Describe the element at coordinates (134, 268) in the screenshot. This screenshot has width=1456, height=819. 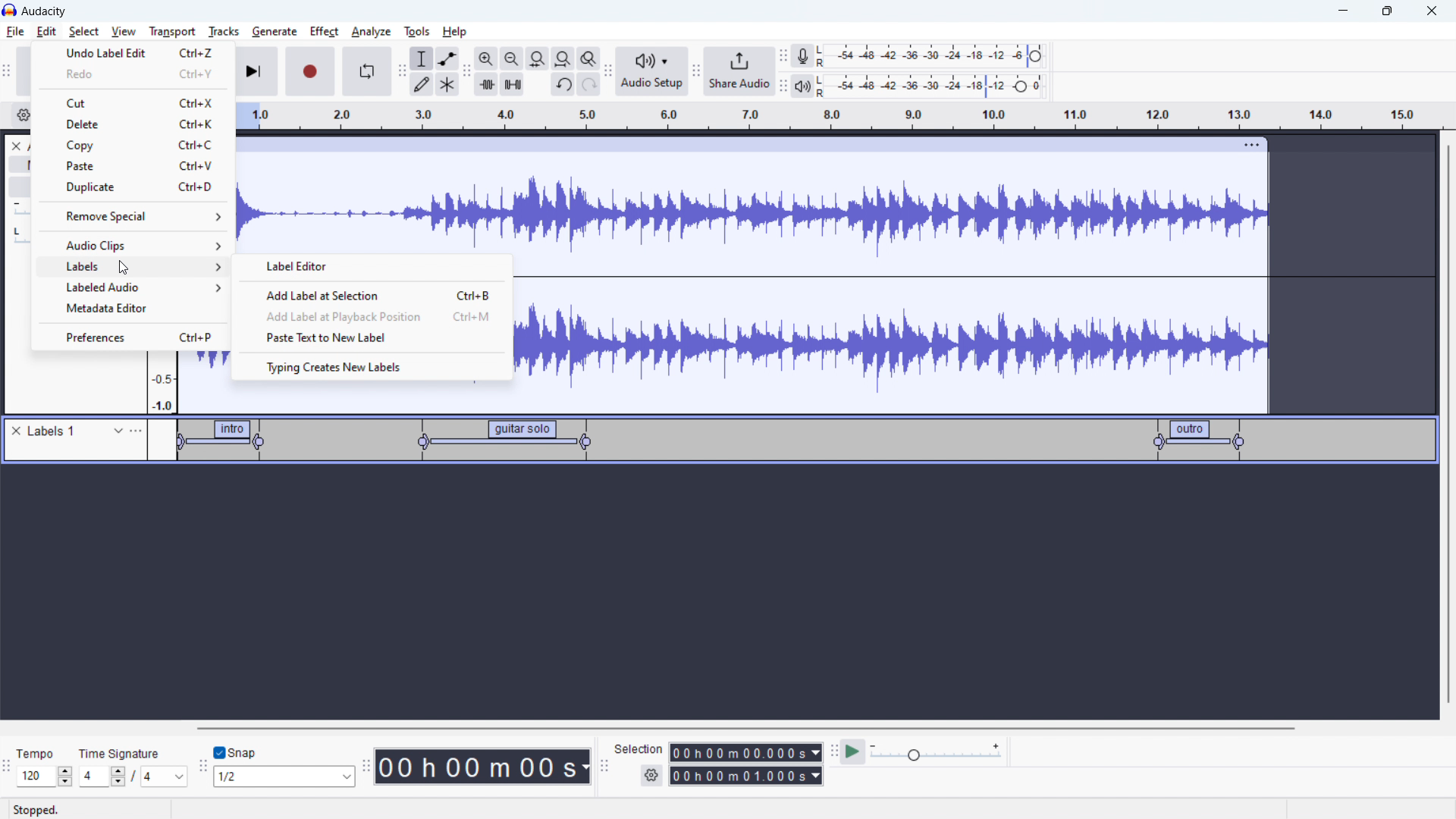
I see `labels` at that location.